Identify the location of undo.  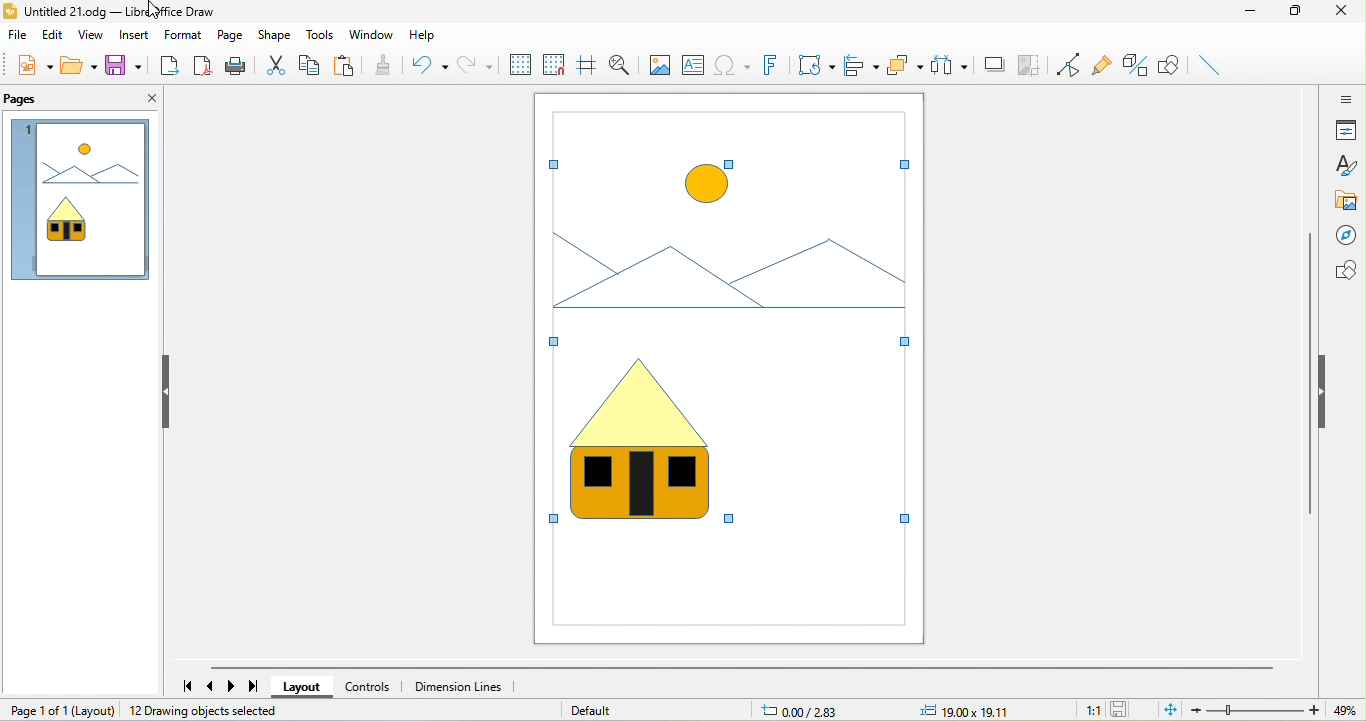
(440, 65).